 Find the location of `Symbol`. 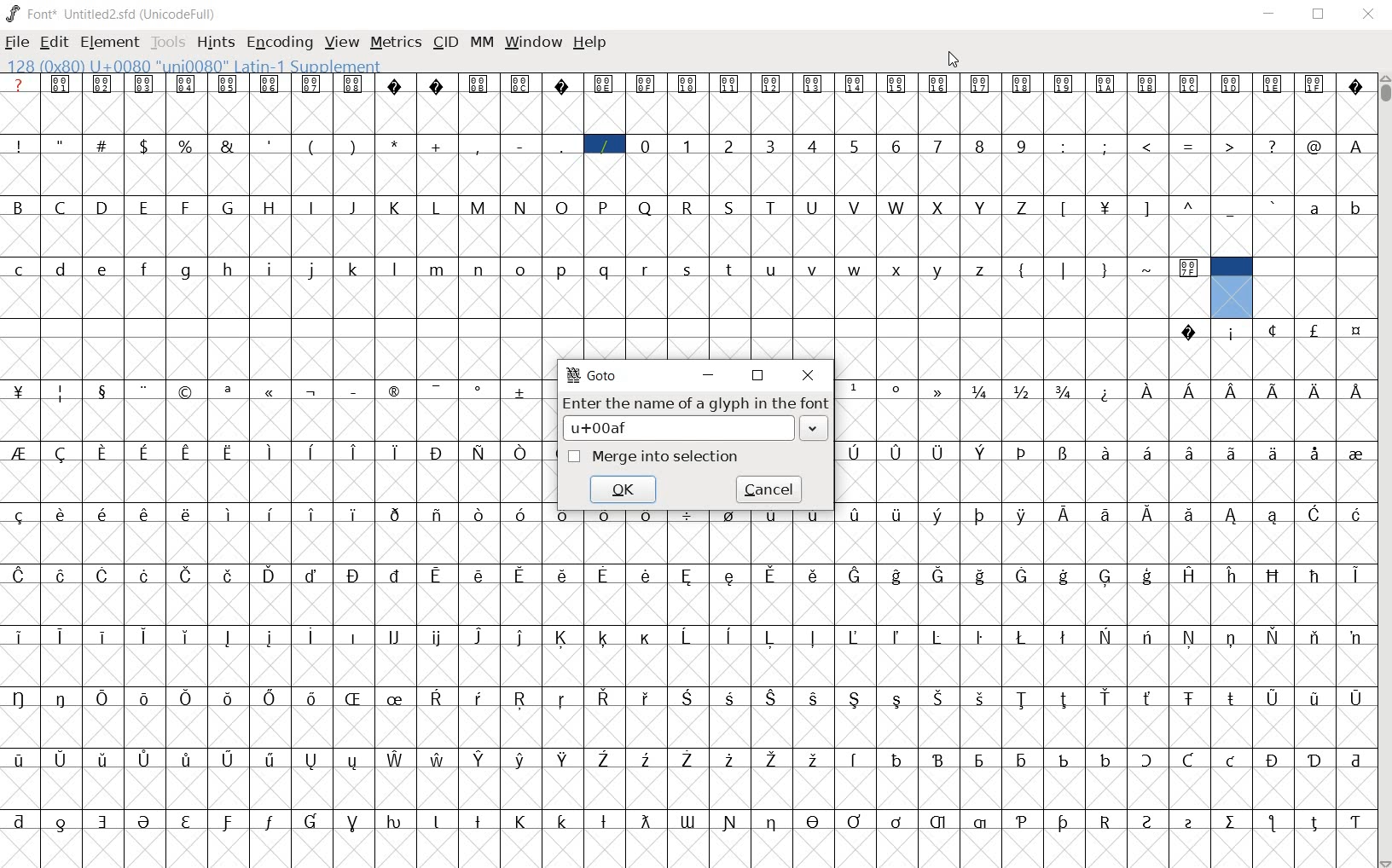

Symbol is located at coordinates (899, 576).